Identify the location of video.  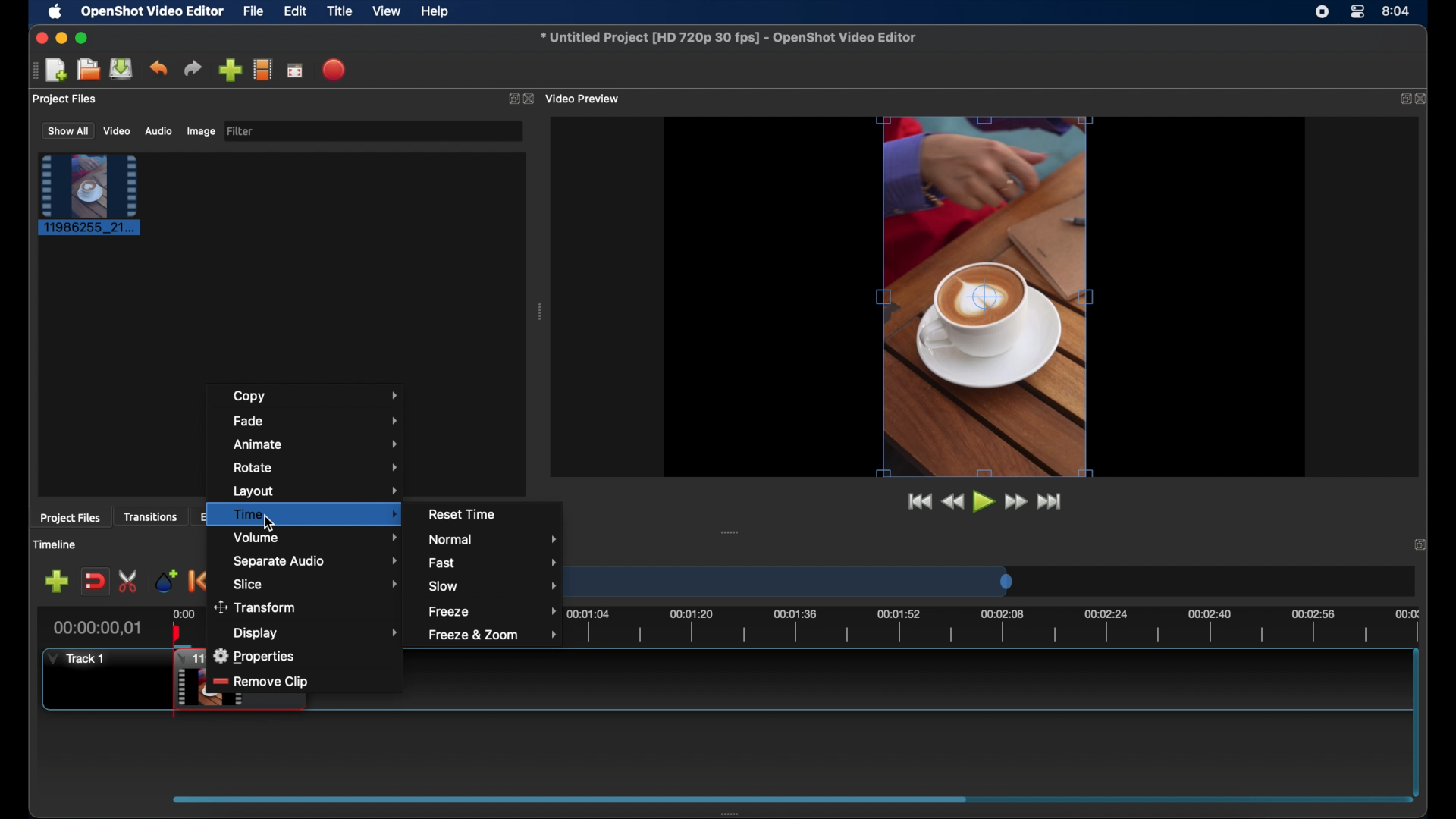
(118, 131).